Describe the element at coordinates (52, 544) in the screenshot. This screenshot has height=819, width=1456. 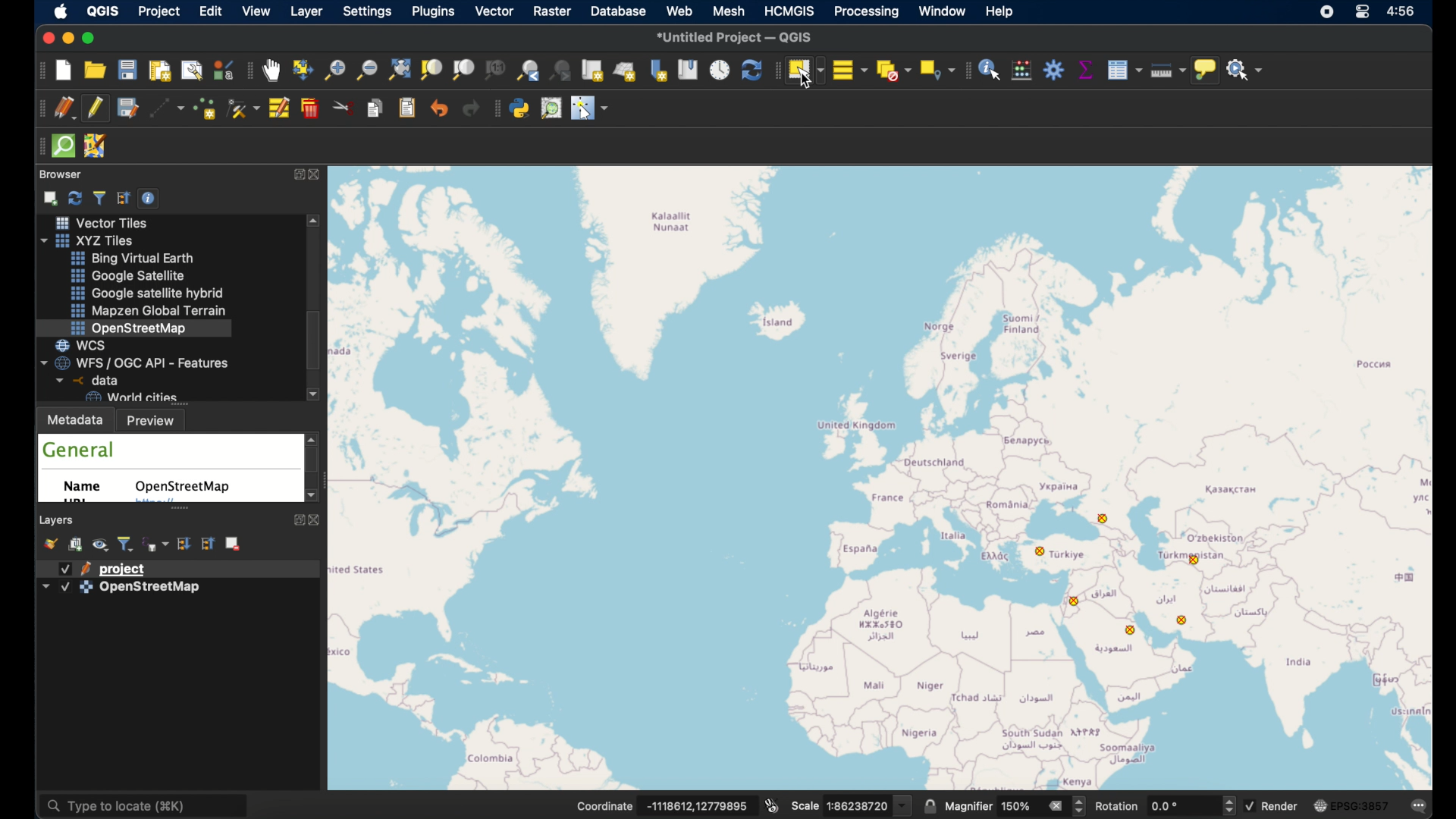
I see `open layer styling panel` at that location.